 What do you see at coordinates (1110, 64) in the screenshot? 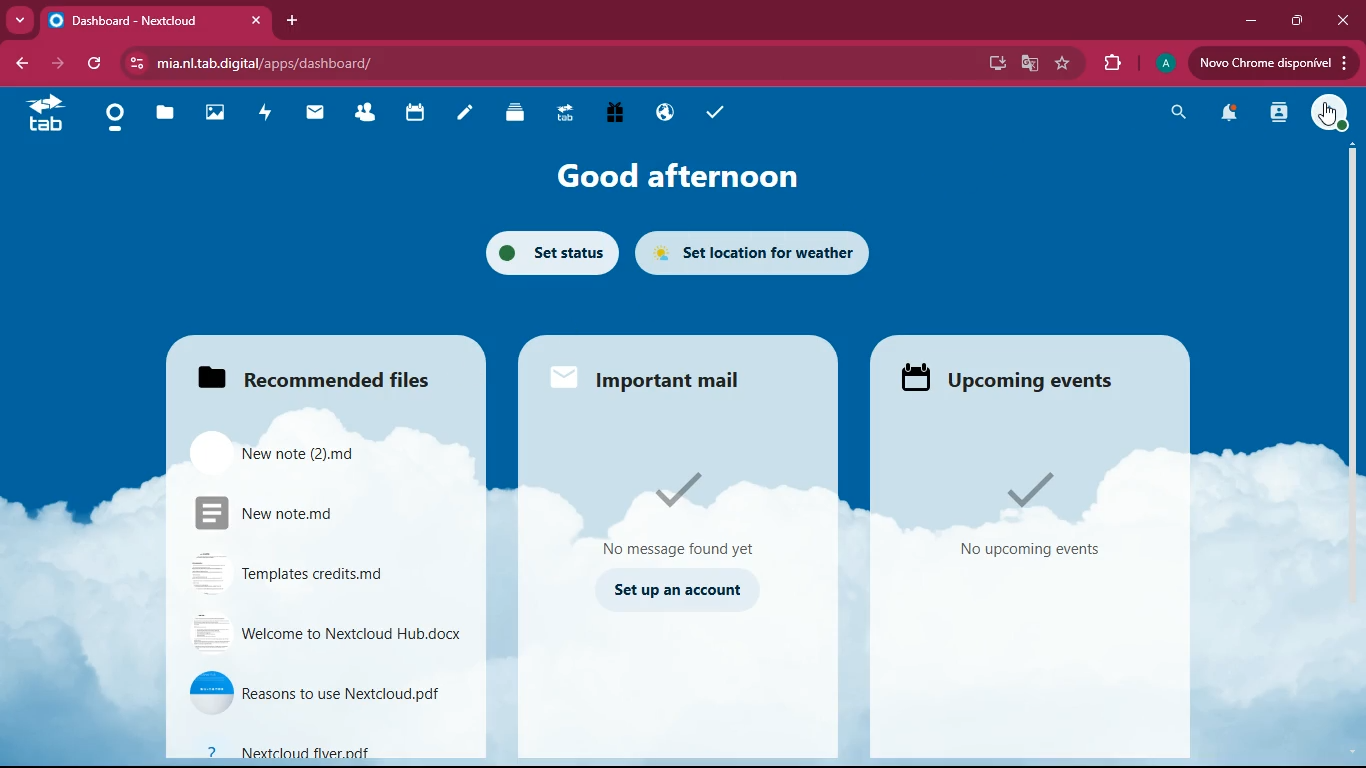
I see `extensions` at bounding box center [1110, 64].